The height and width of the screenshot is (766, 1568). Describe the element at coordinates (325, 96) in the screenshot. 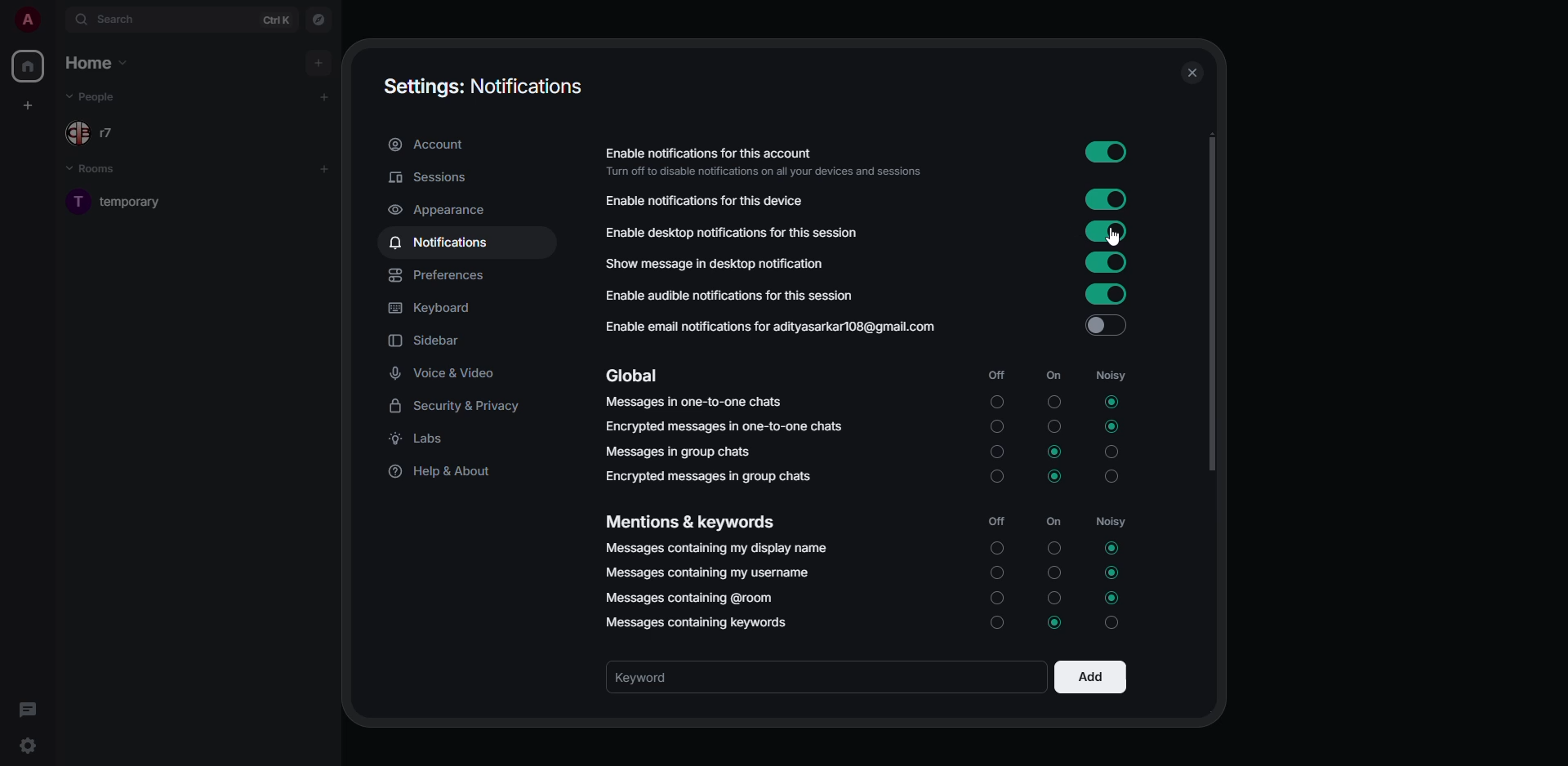

I see `add` at that location.